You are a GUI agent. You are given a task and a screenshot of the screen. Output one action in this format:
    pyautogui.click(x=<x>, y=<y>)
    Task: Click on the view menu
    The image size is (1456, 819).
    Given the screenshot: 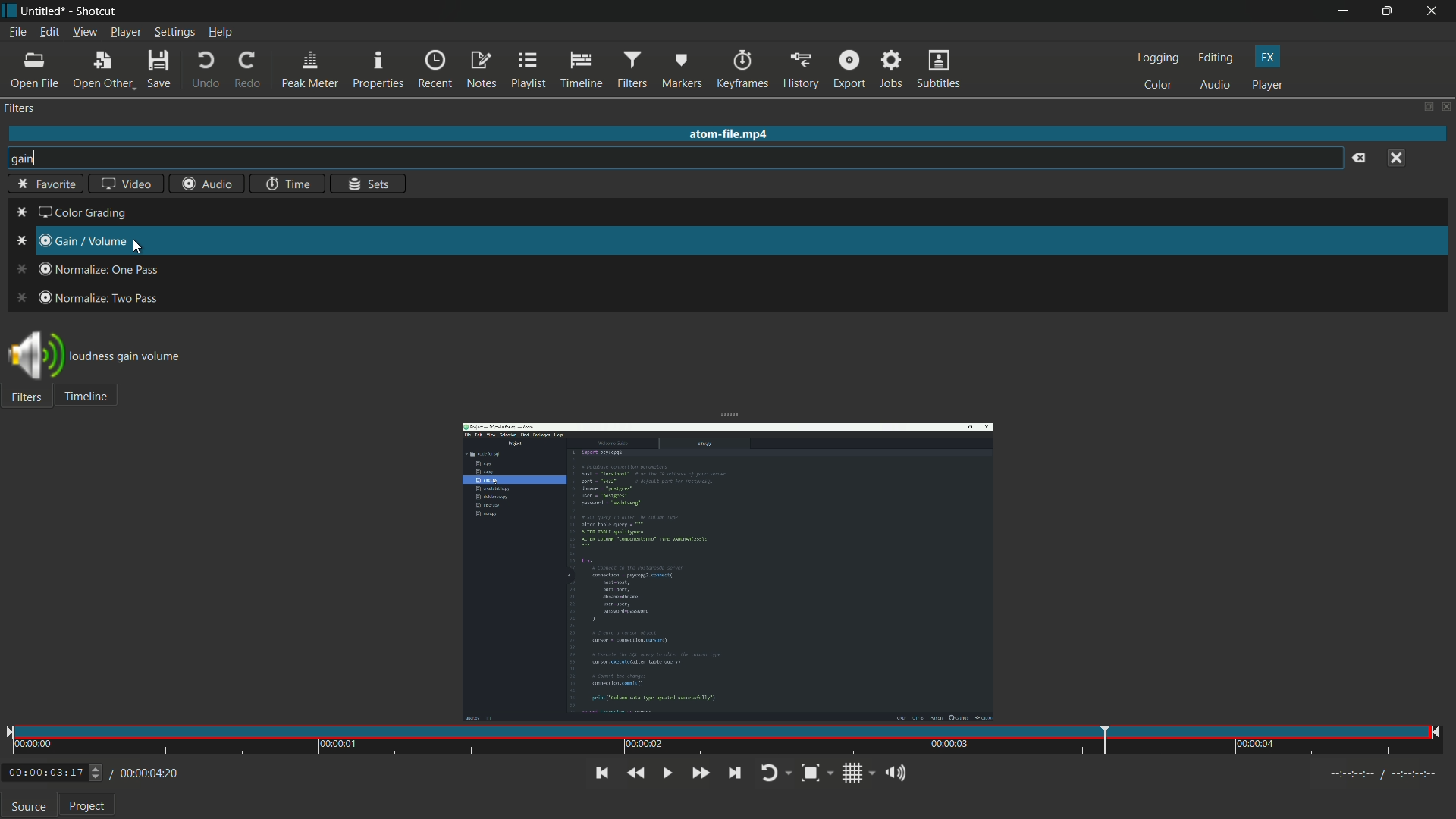 What is the action you would take?
    pyautogui.click(x=84, y=33)
    